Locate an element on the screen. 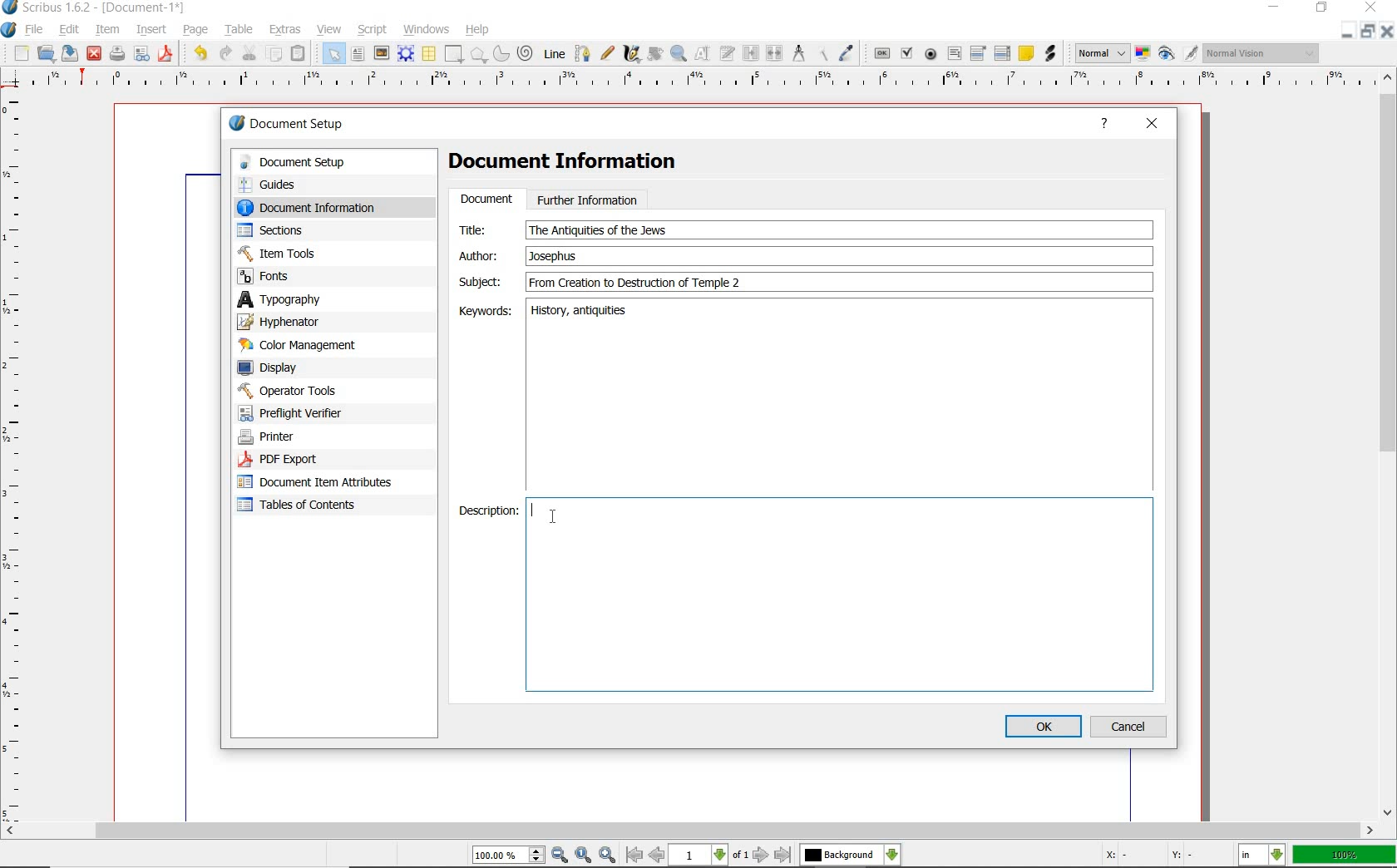 The image size is (1397, 868). shape is located at coordinates (454, 53).